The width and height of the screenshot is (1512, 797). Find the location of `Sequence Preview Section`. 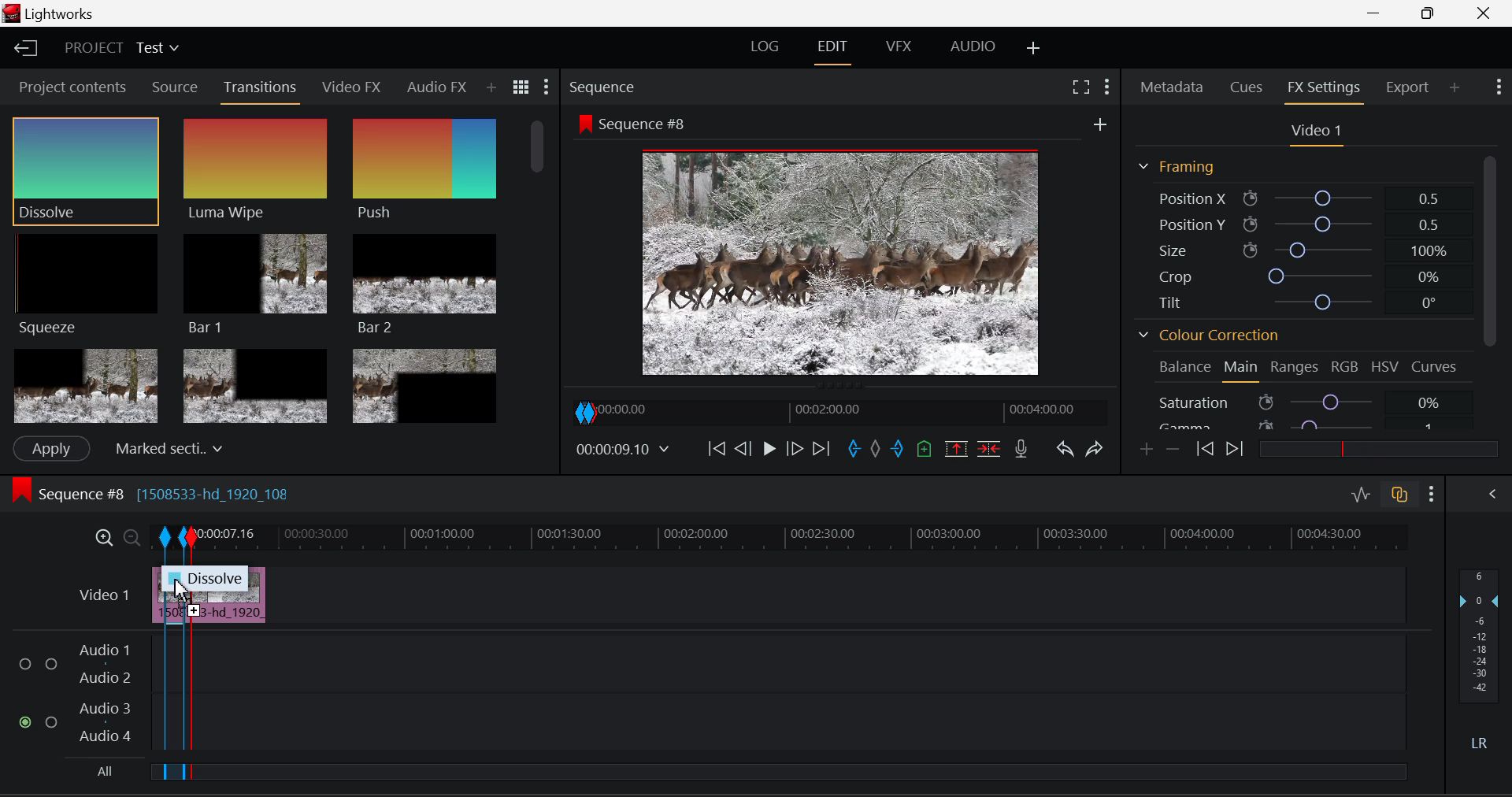

Sequence Preview Section is located at coordinates (605, 87).